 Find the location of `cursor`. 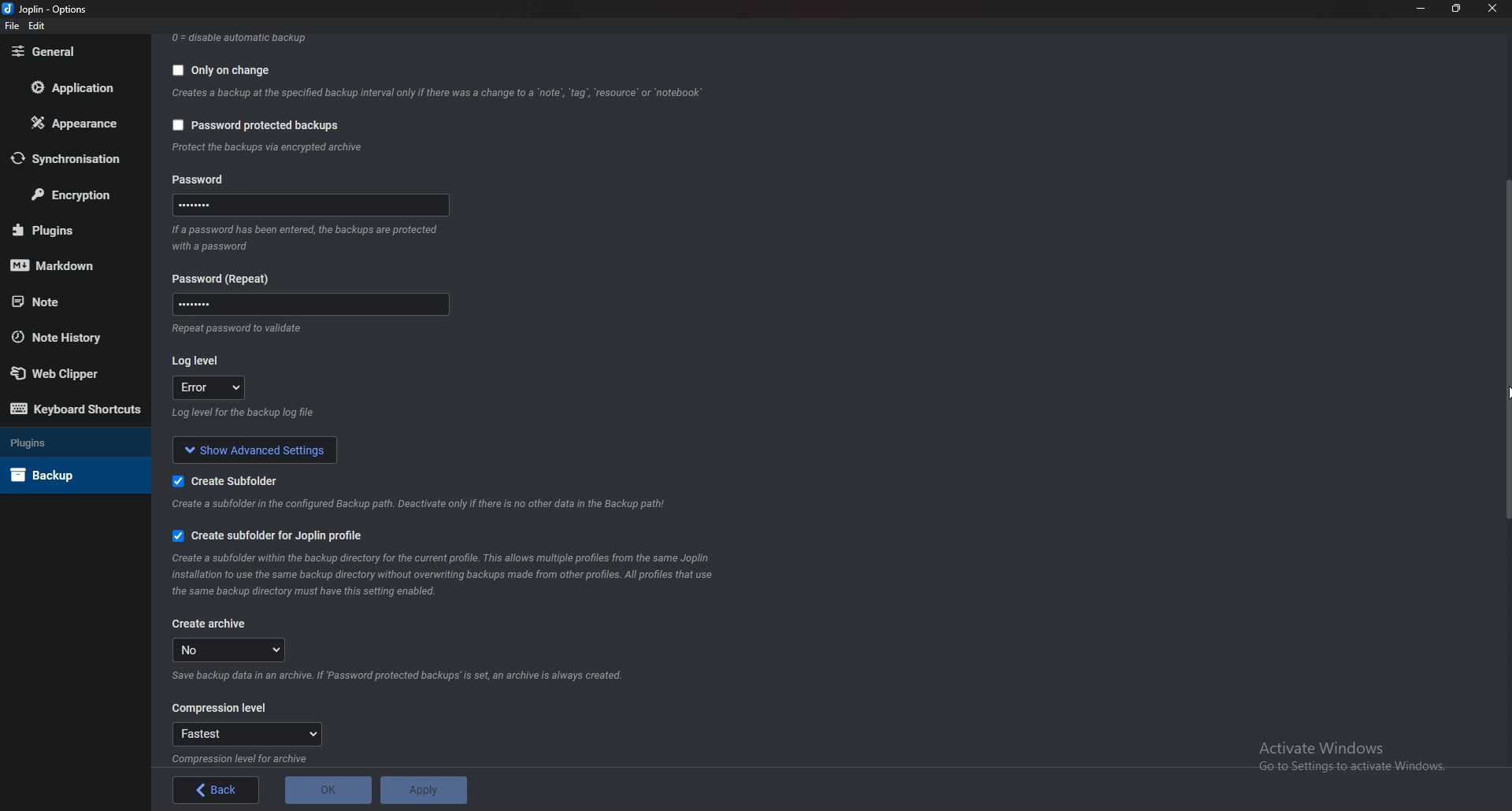

cursor is located at coordinates (1503, 395).